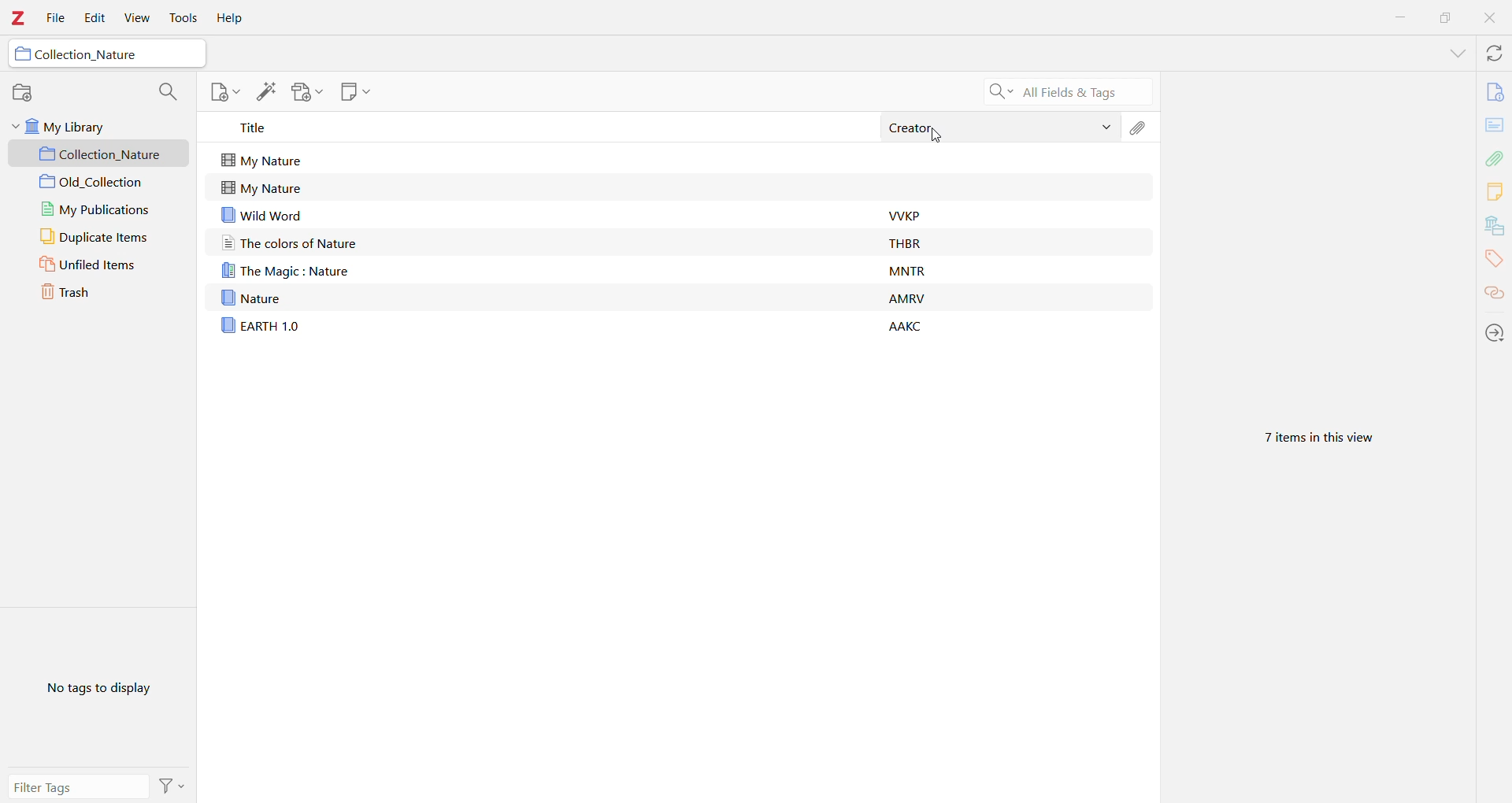 The height and width of the screenshot is (803, 1512). Describe the element at coordinates (104, 208) in the screenshot. I see `My Publications` at that location.